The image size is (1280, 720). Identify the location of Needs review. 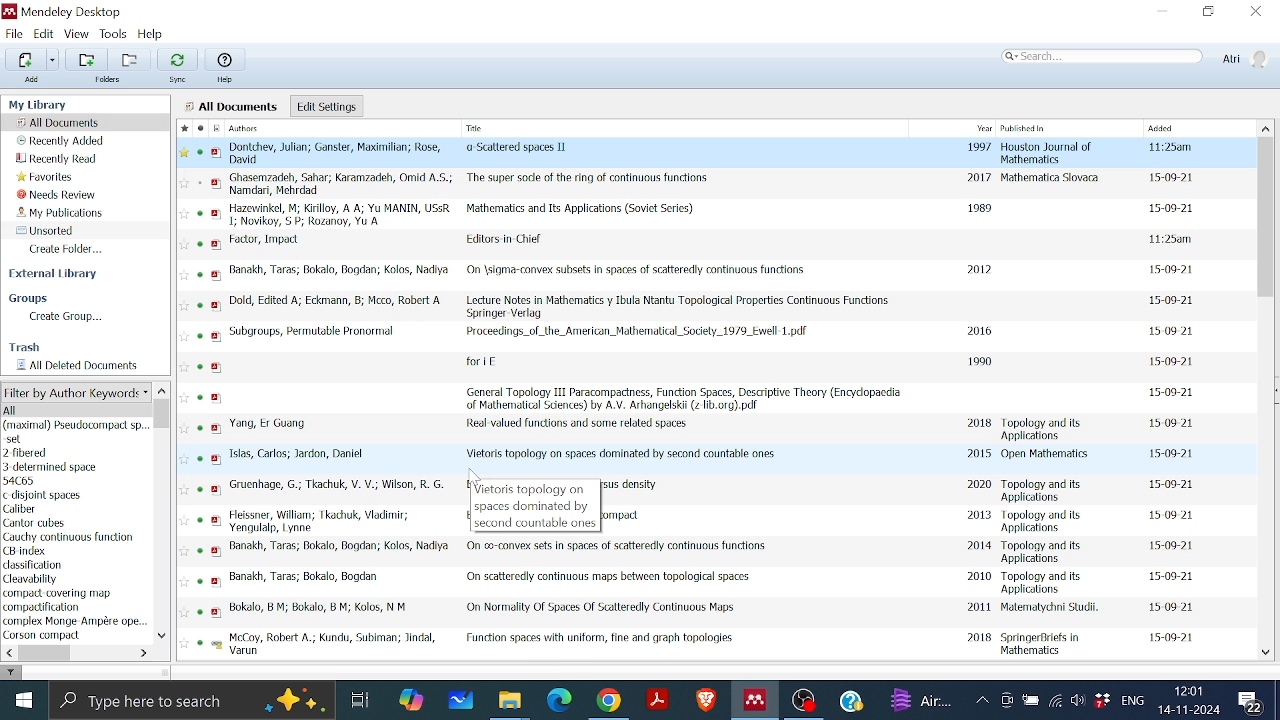
(60, 195).